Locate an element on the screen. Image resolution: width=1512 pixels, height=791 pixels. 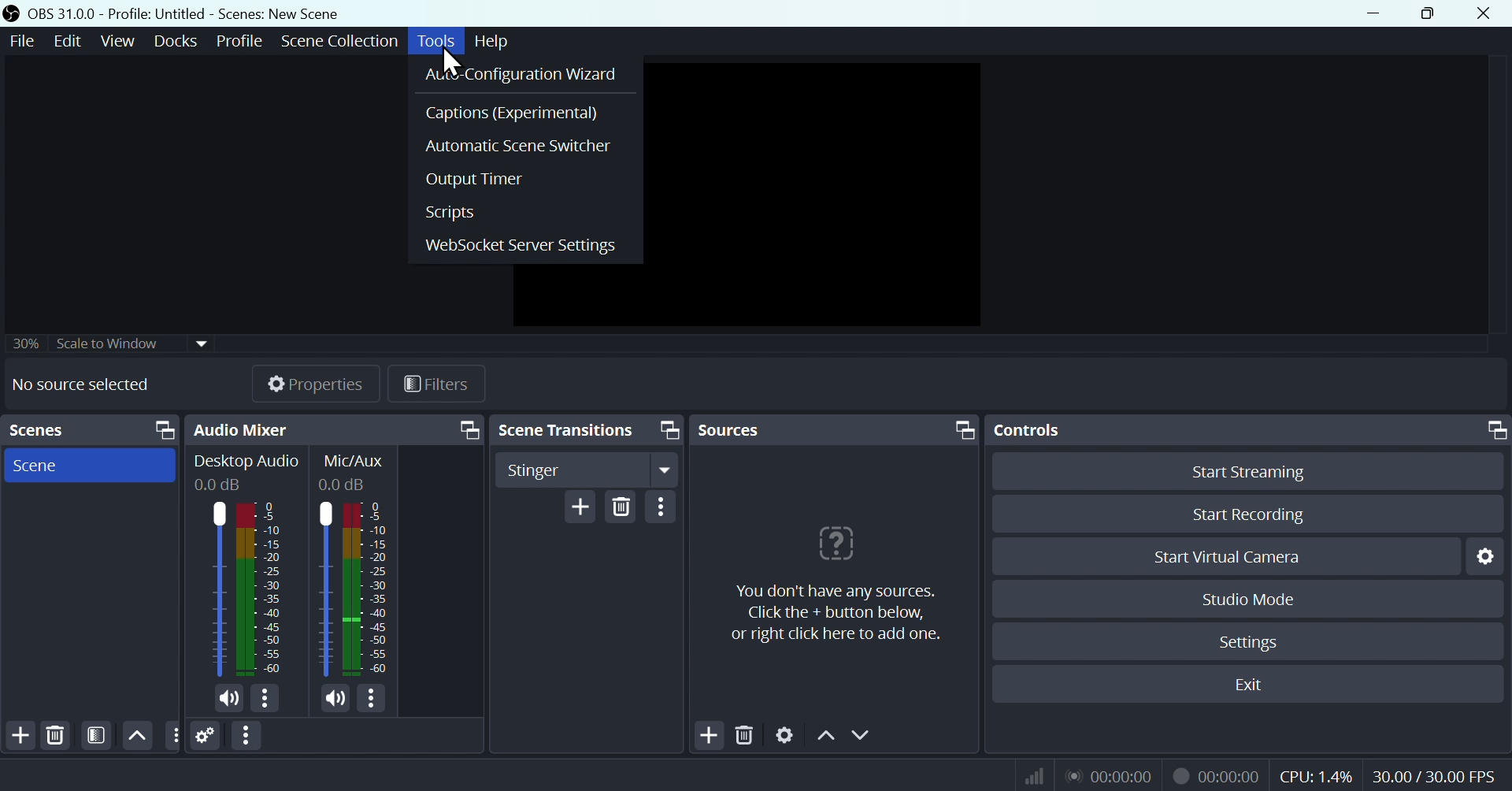
sources is located at coordinates (750, 429).